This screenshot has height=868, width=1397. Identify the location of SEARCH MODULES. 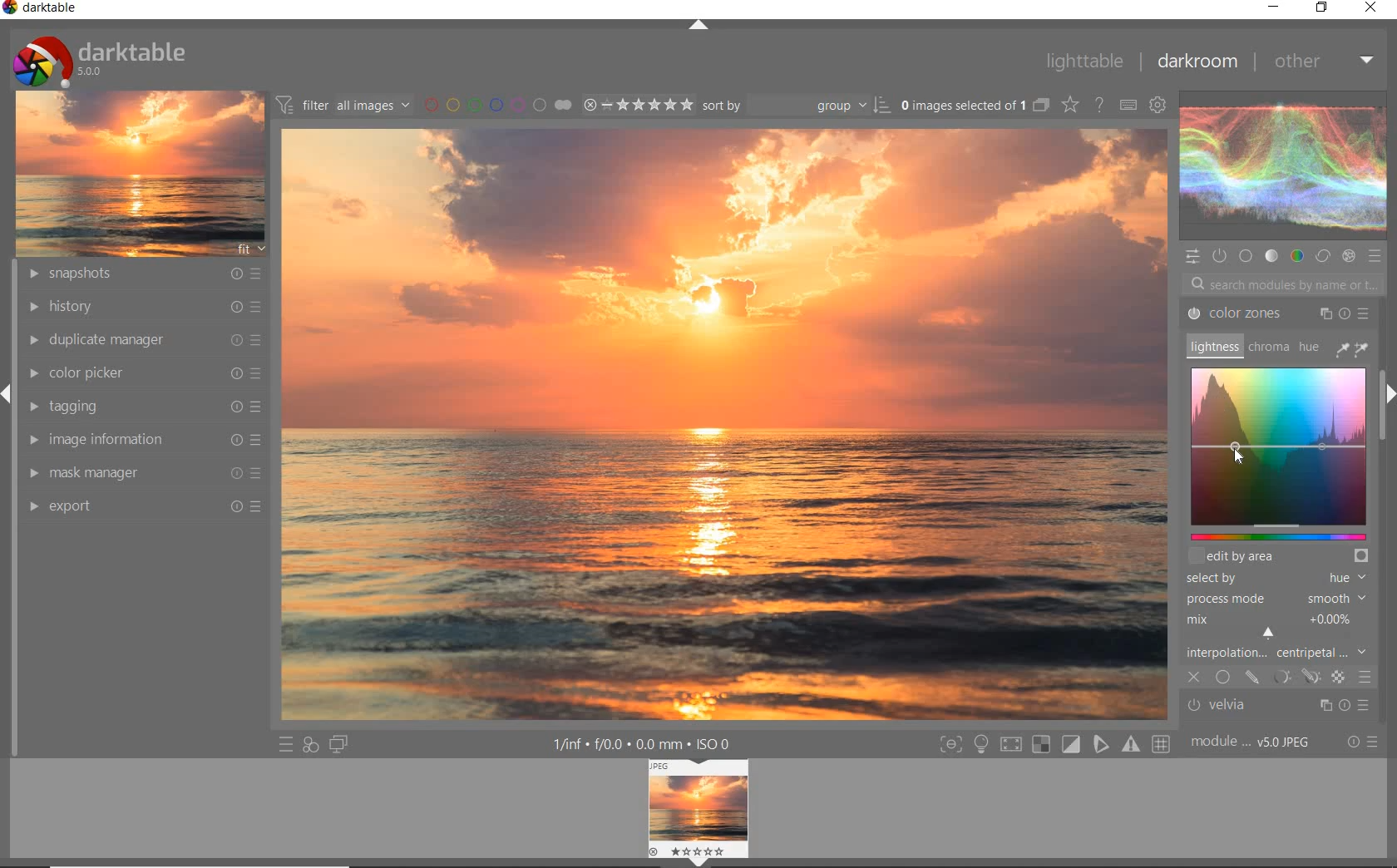
(1284, 284).